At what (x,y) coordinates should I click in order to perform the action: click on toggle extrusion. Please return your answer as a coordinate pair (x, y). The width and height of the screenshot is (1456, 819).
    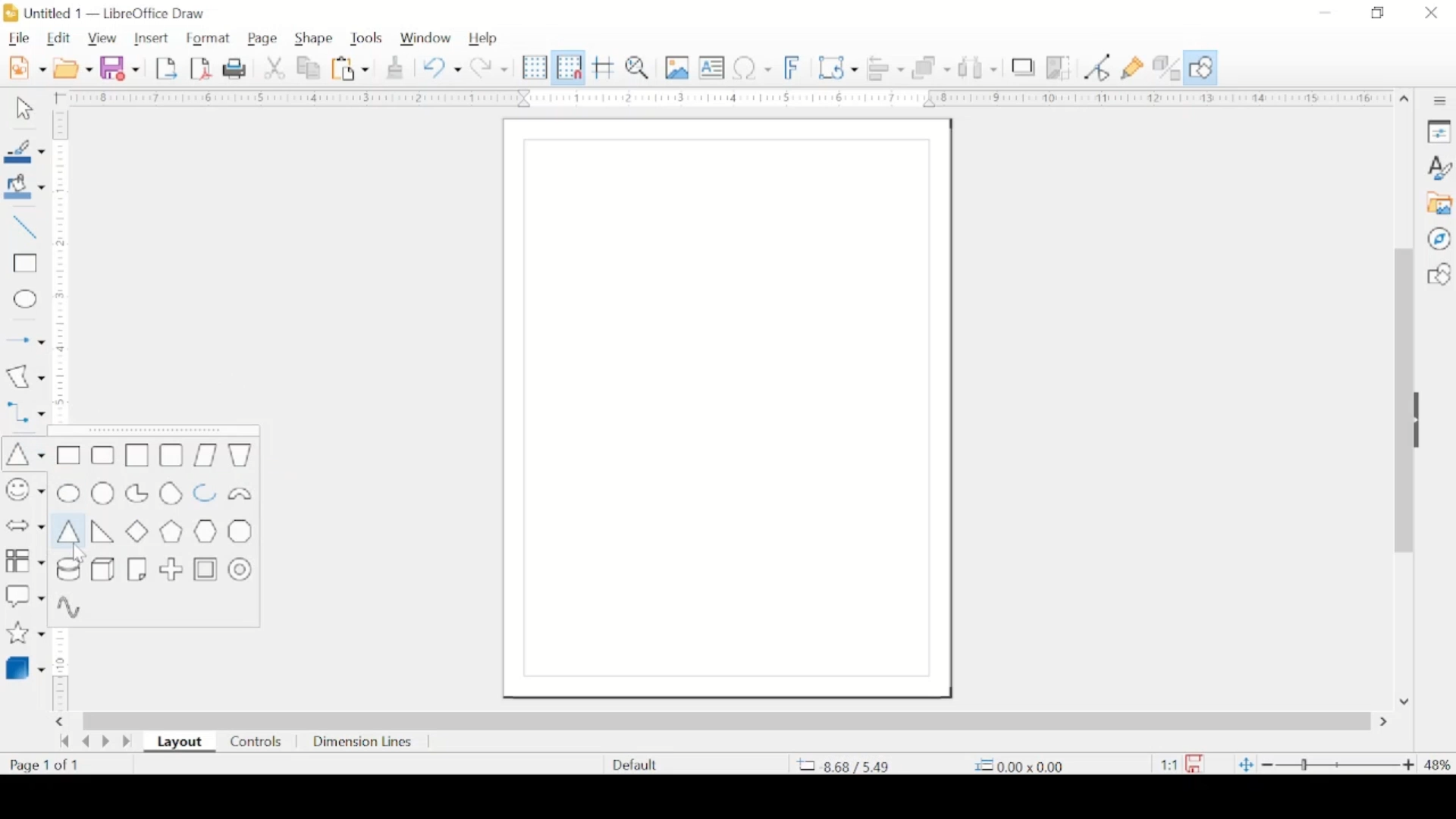
    Looking at the image, I should click on (1167, 67).